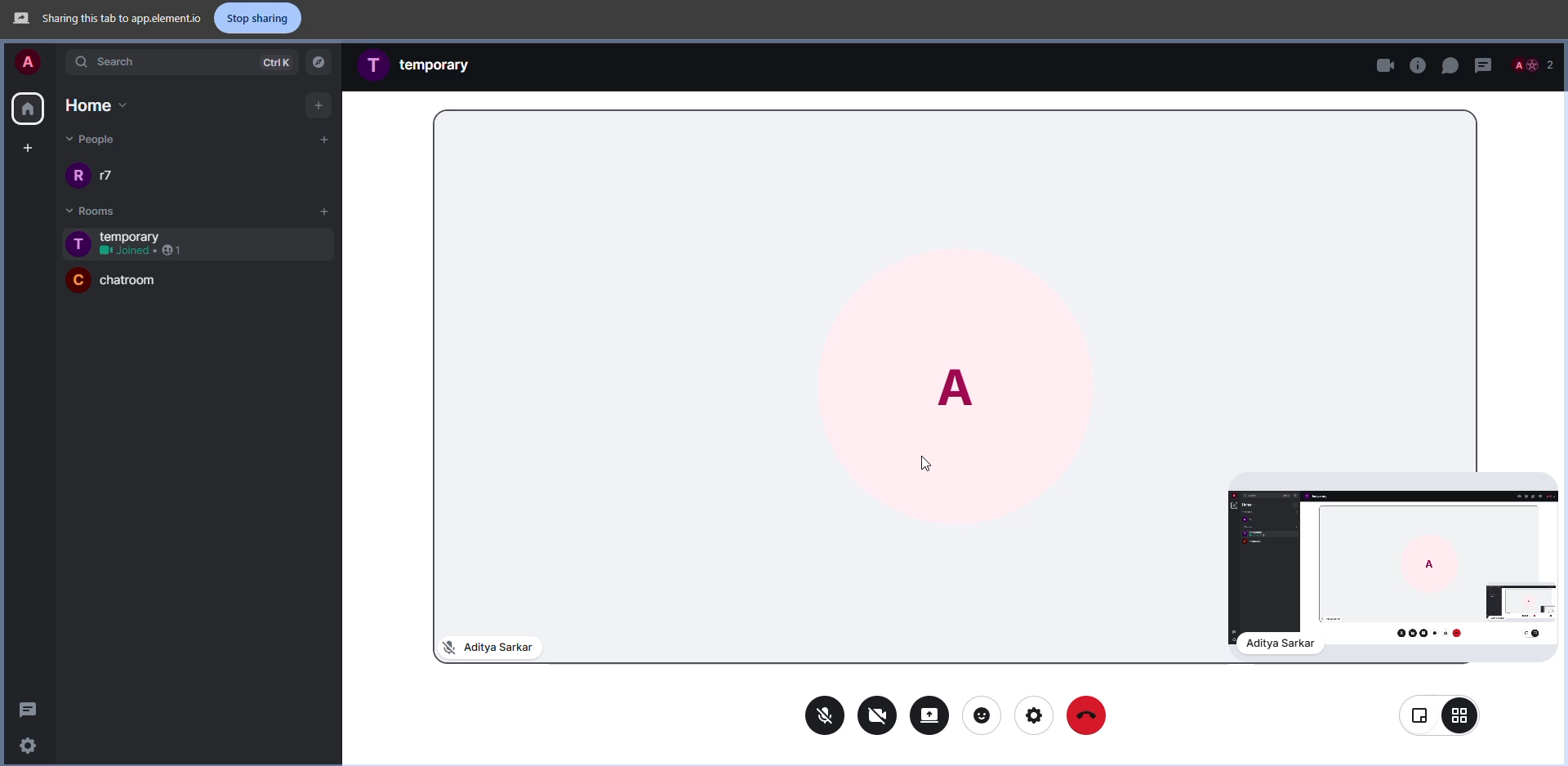 The image size is (1568, 766). I want to click on add, so click(323, 105).